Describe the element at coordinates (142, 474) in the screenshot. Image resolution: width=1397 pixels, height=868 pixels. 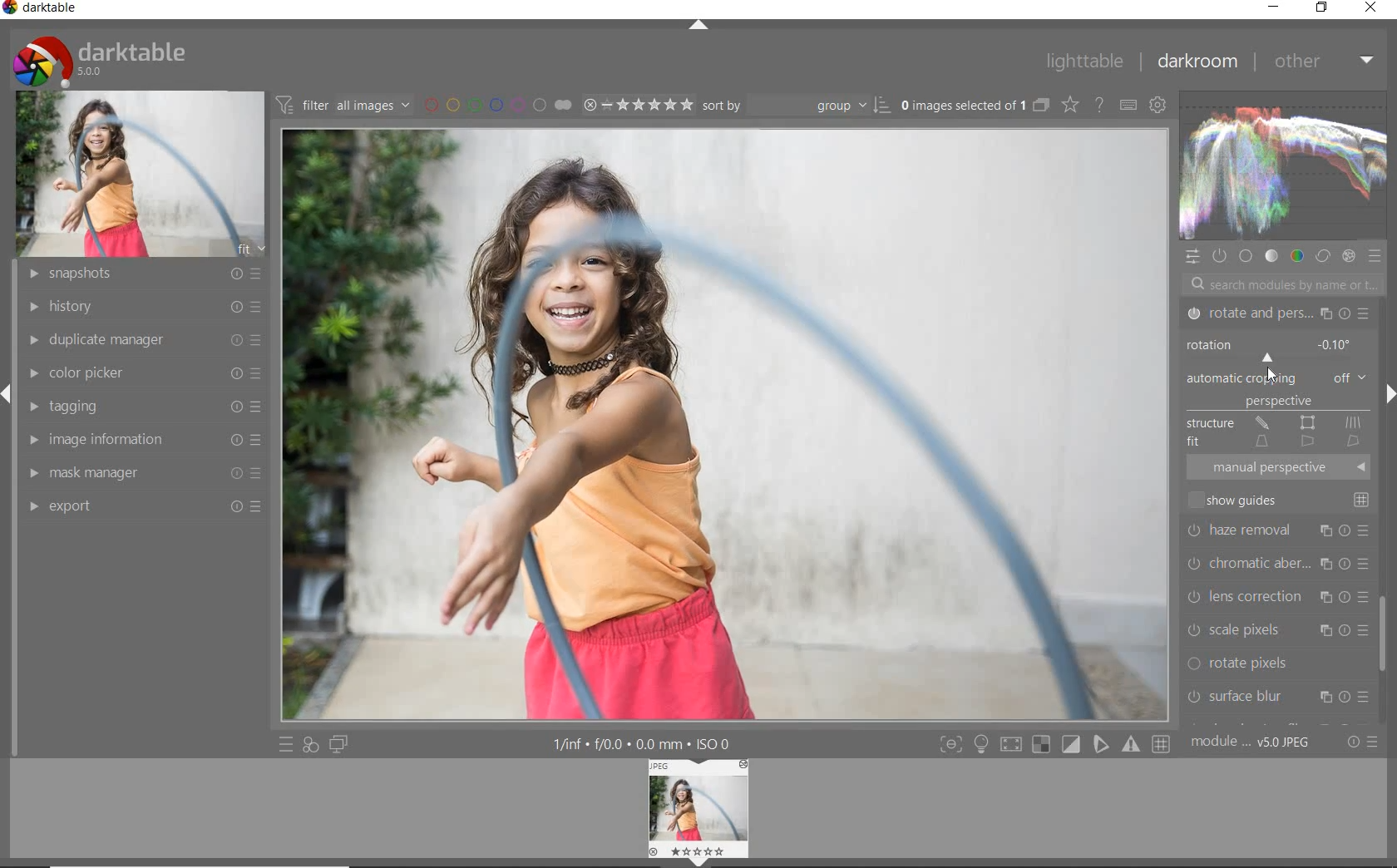
I see `mask manager` at that location.